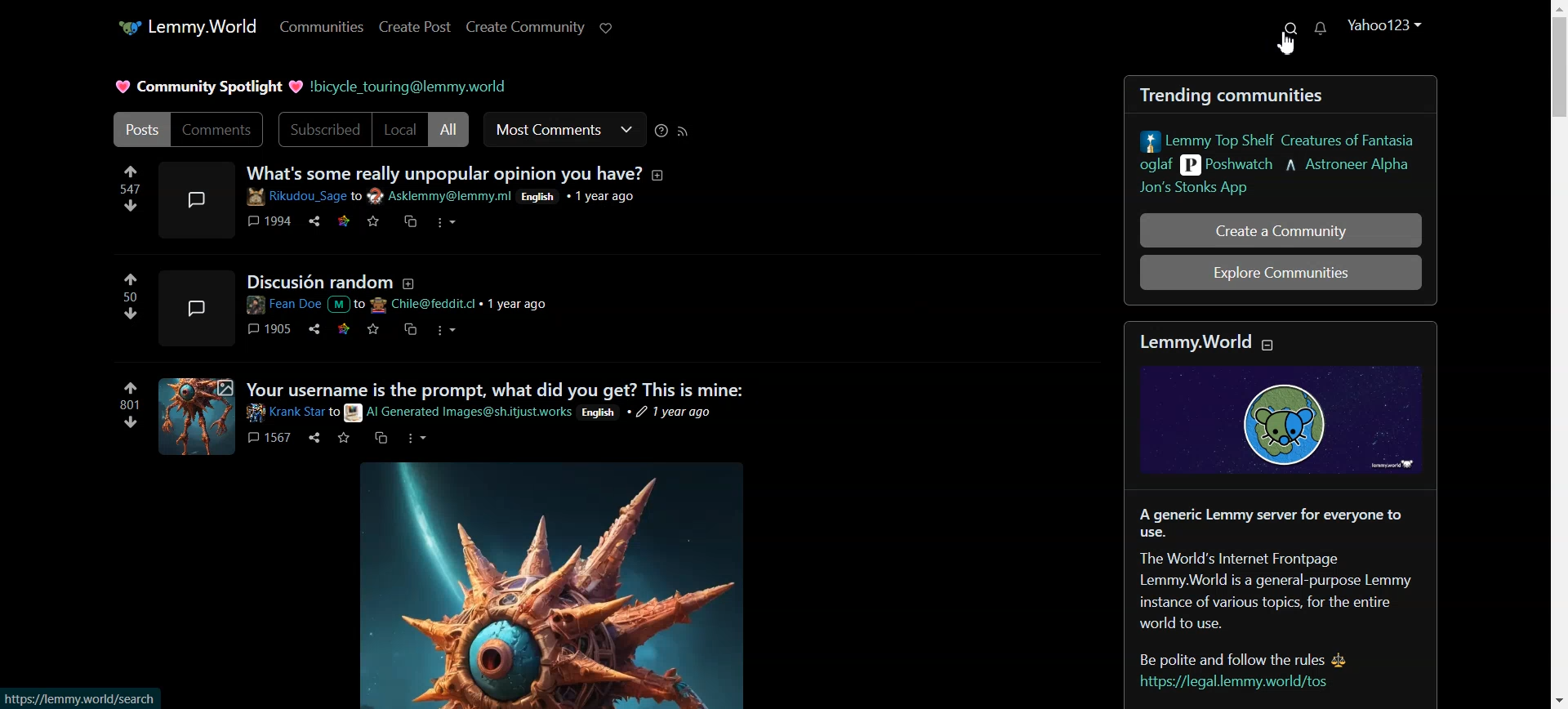 The image size is (1568, 709). Describe the element at coordinates (1278, 593) in the screenshot. I see `The World's Internet FrontpageLemmy.World is a general-purpose Lemmyinstance of various topics, for the entire world to use.` at that location.